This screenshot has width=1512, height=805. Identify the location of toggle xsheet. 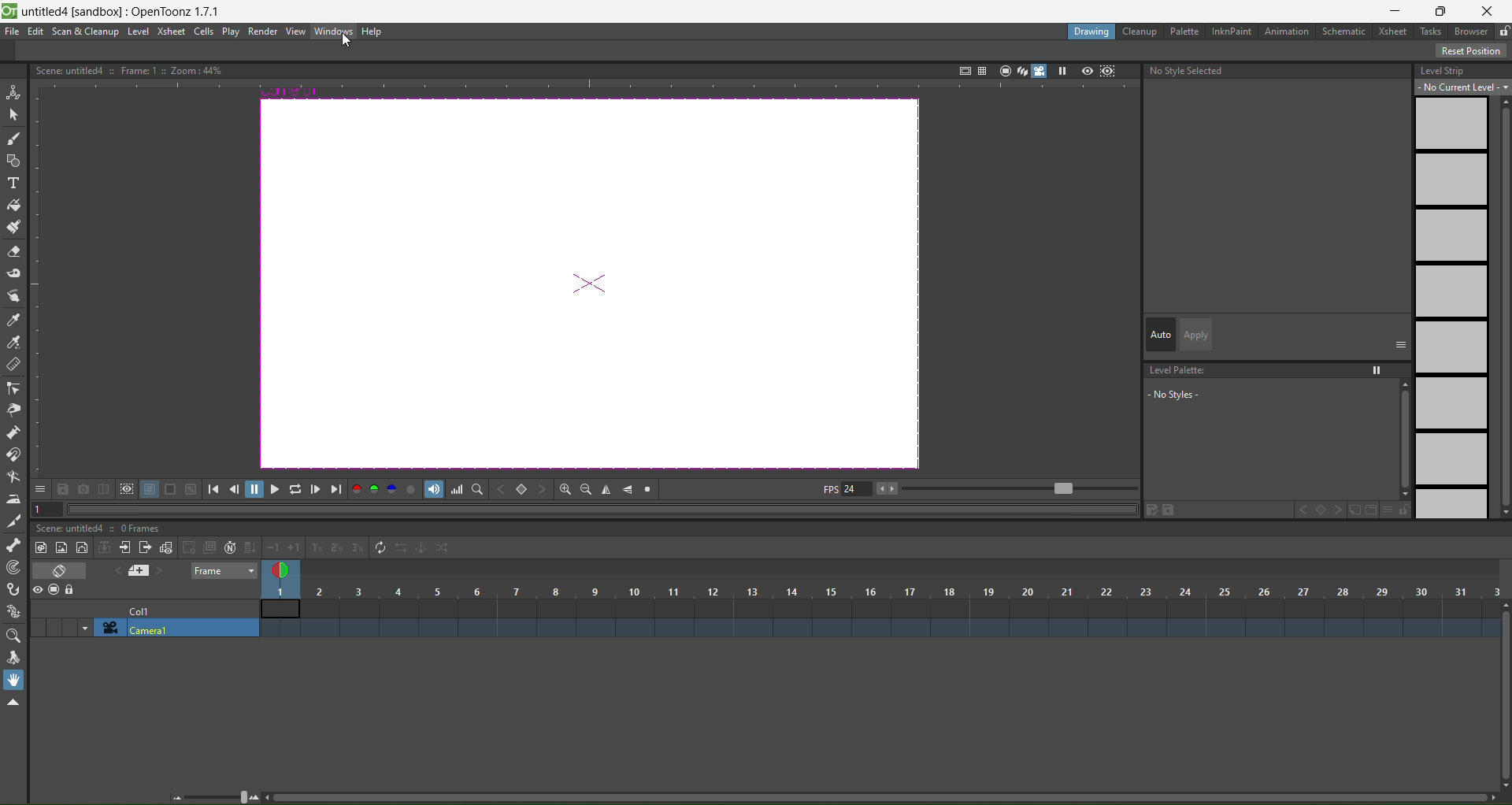
(65, 570).